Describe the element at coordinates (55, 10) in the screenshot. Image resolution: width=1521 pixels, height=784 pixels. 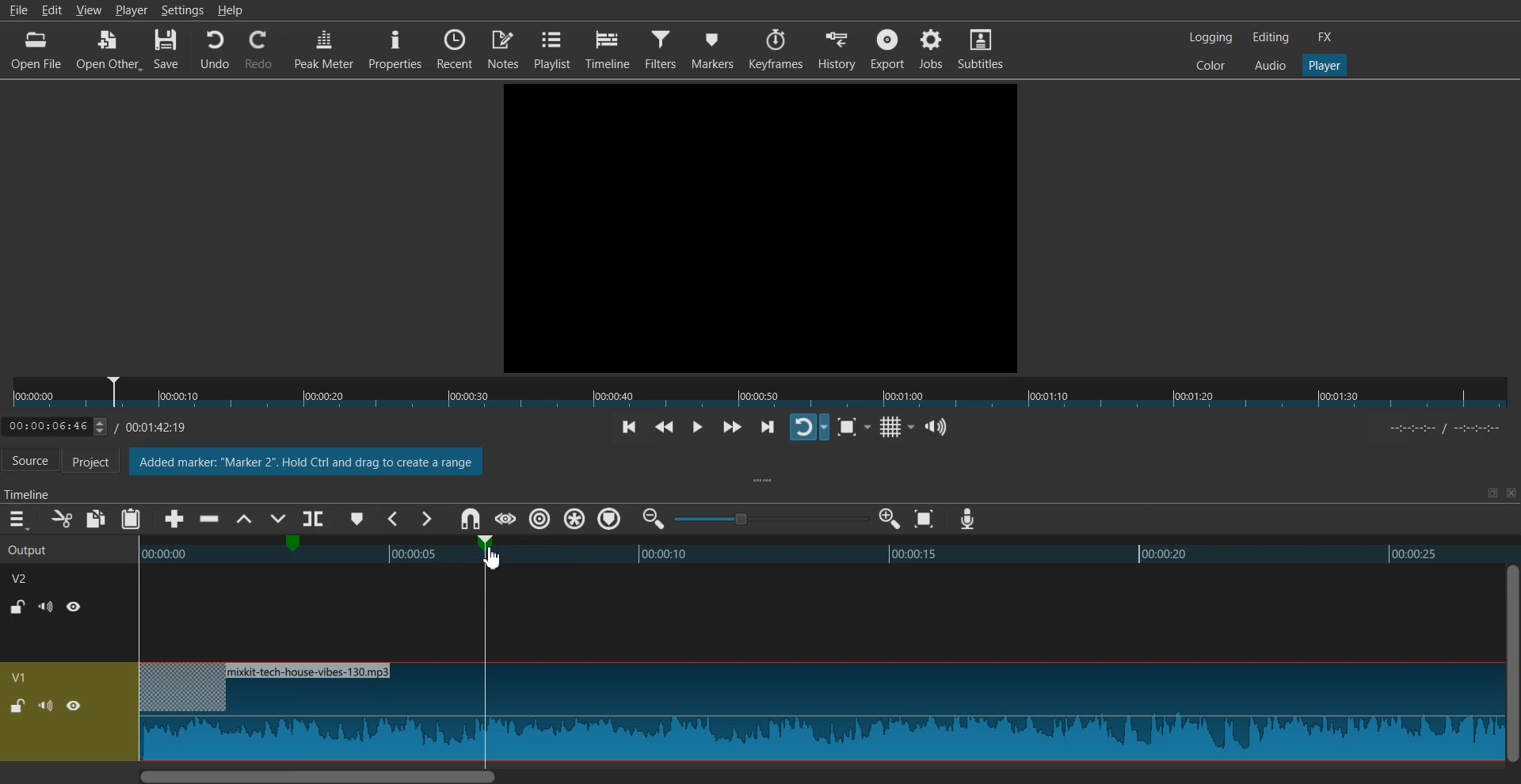
I see `Edit` at that location.